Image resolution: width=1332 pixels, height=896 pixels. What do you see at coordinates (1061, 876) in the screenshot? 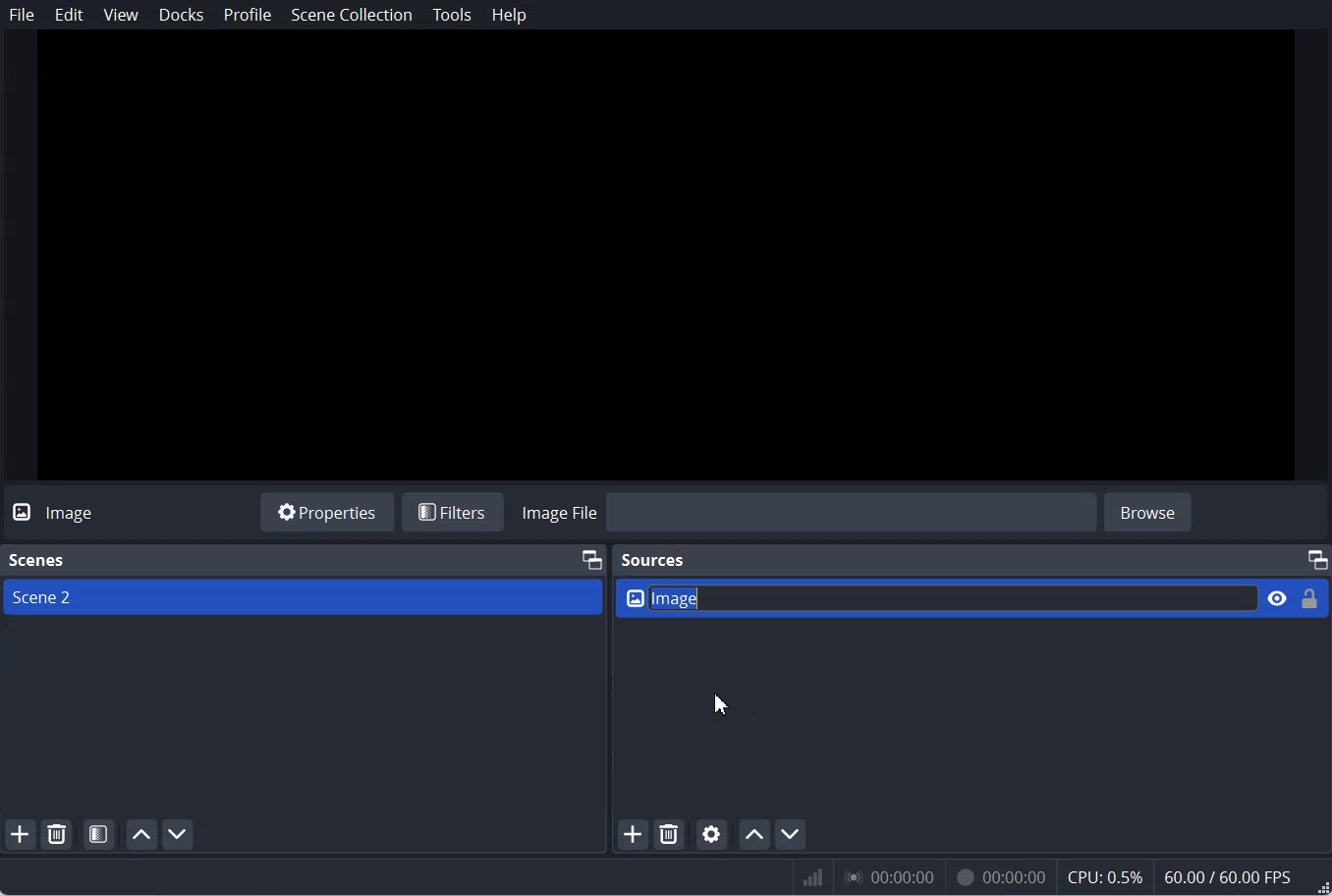
I see `Numeric results` at bounding box center [1061, 876].